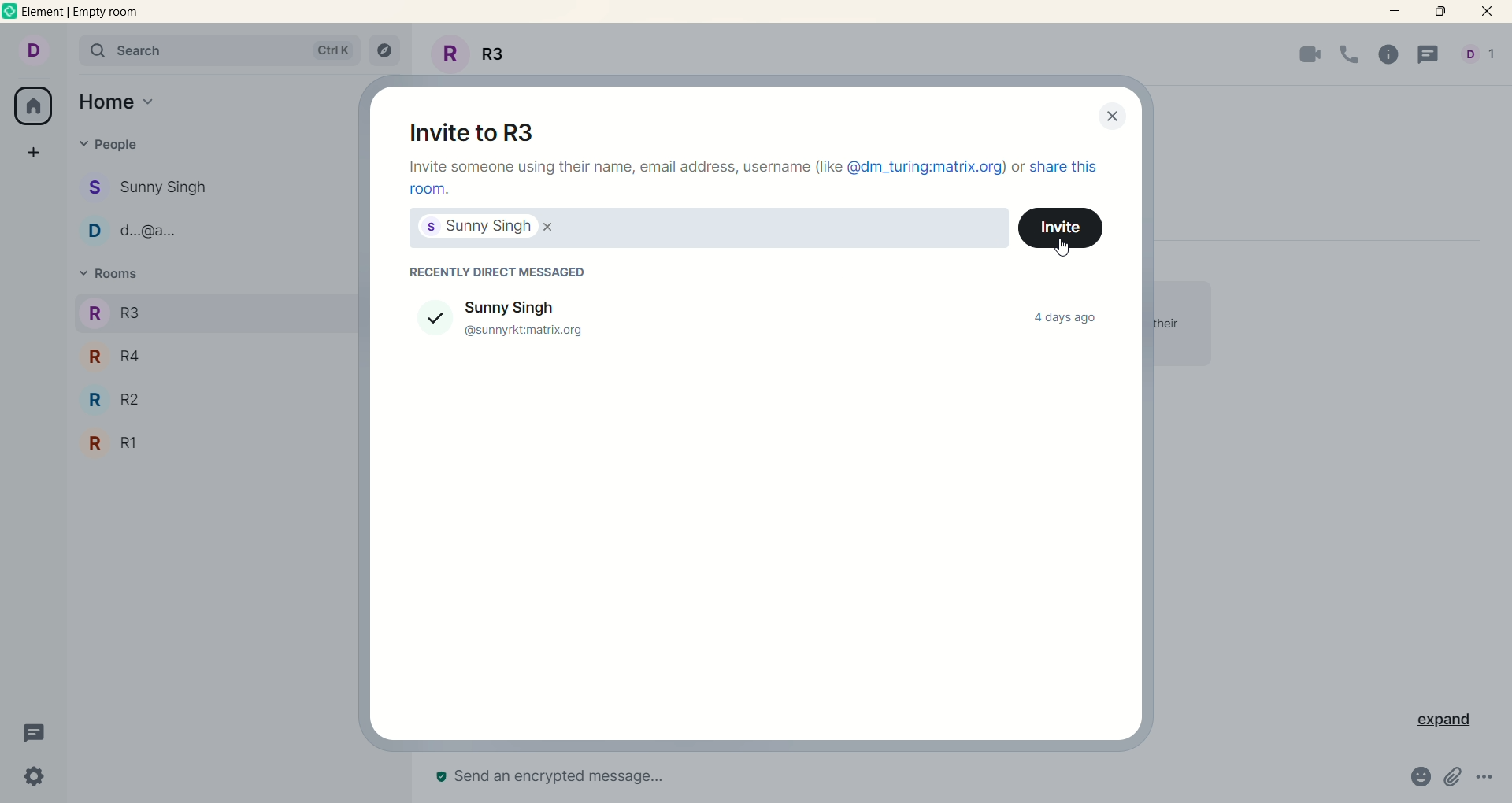 The width and height of the screenshot is (1512, 803). I want to click on @sunnyrkt:matrix.org, so click(532, 328).